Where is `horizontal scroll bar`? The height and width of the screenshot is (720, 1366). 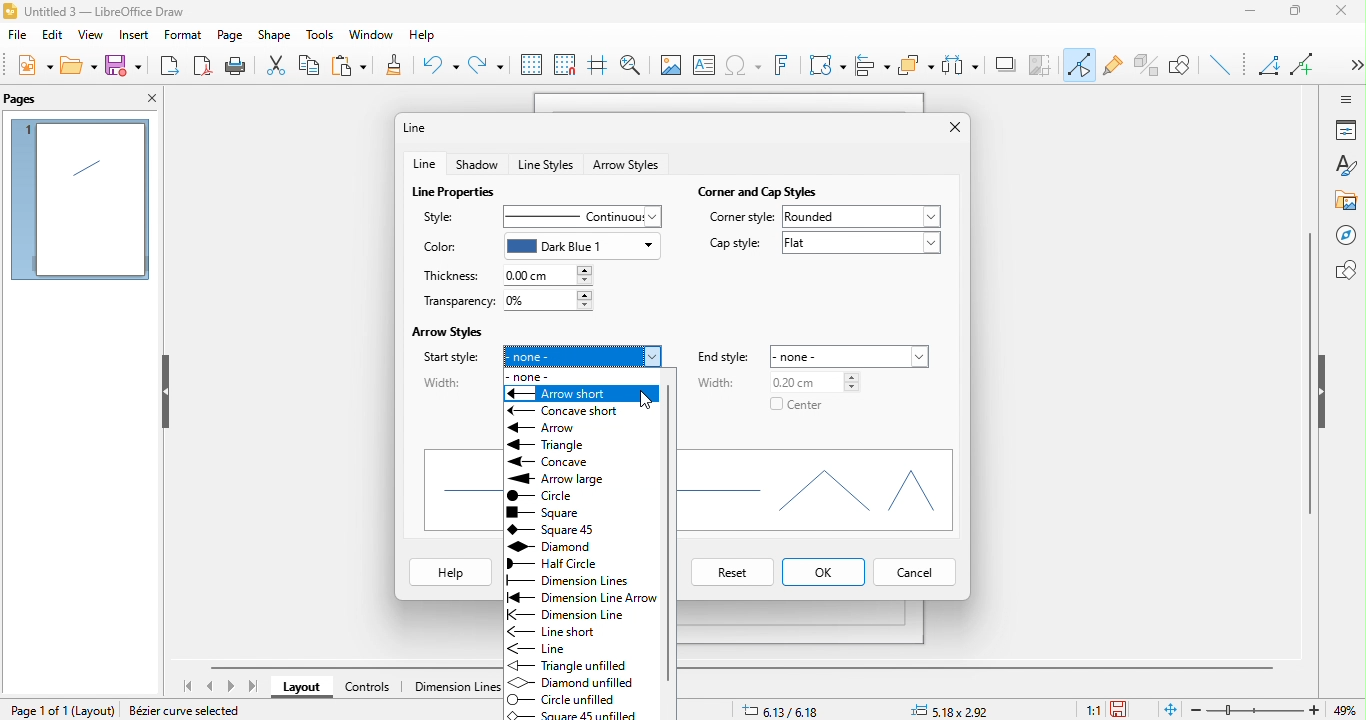
horizontal scroll bar is located at coordinates (348, 666).